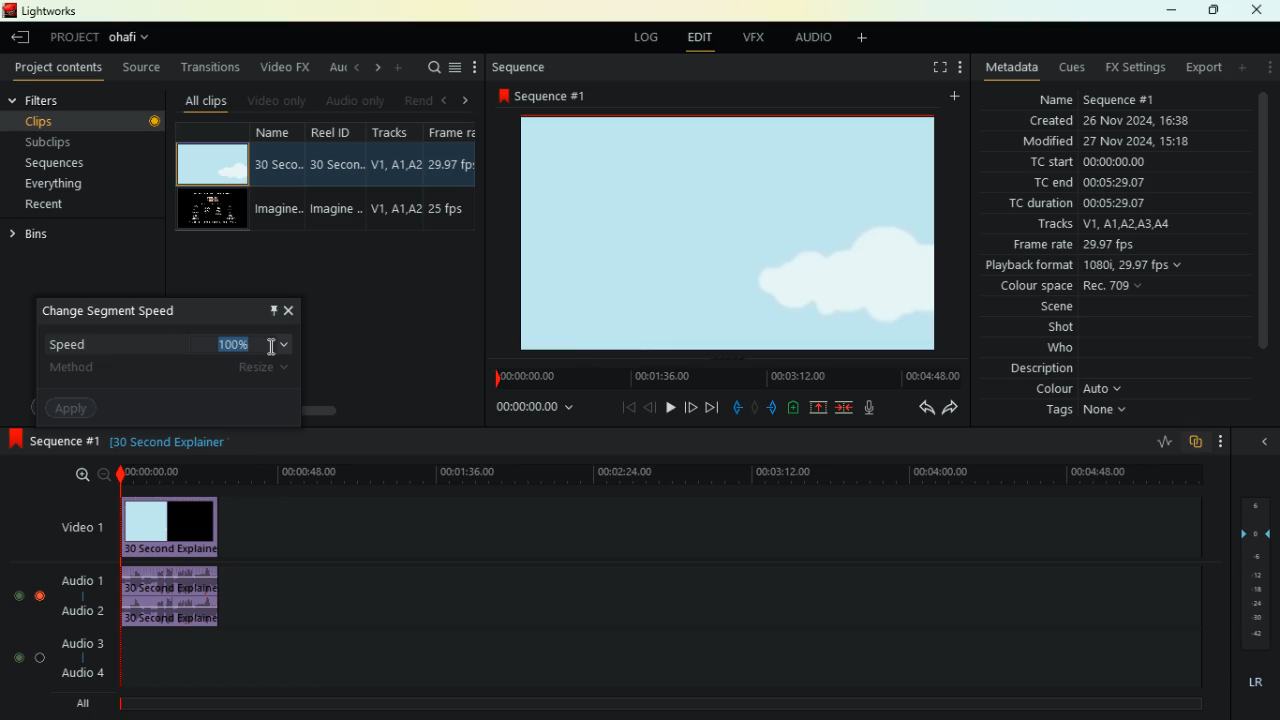 The height and width of the screenshot is (720, 1280). What do you see at coordinates (818, 408) in the screenshot?
I see `up` at bounding box center [818, 408].